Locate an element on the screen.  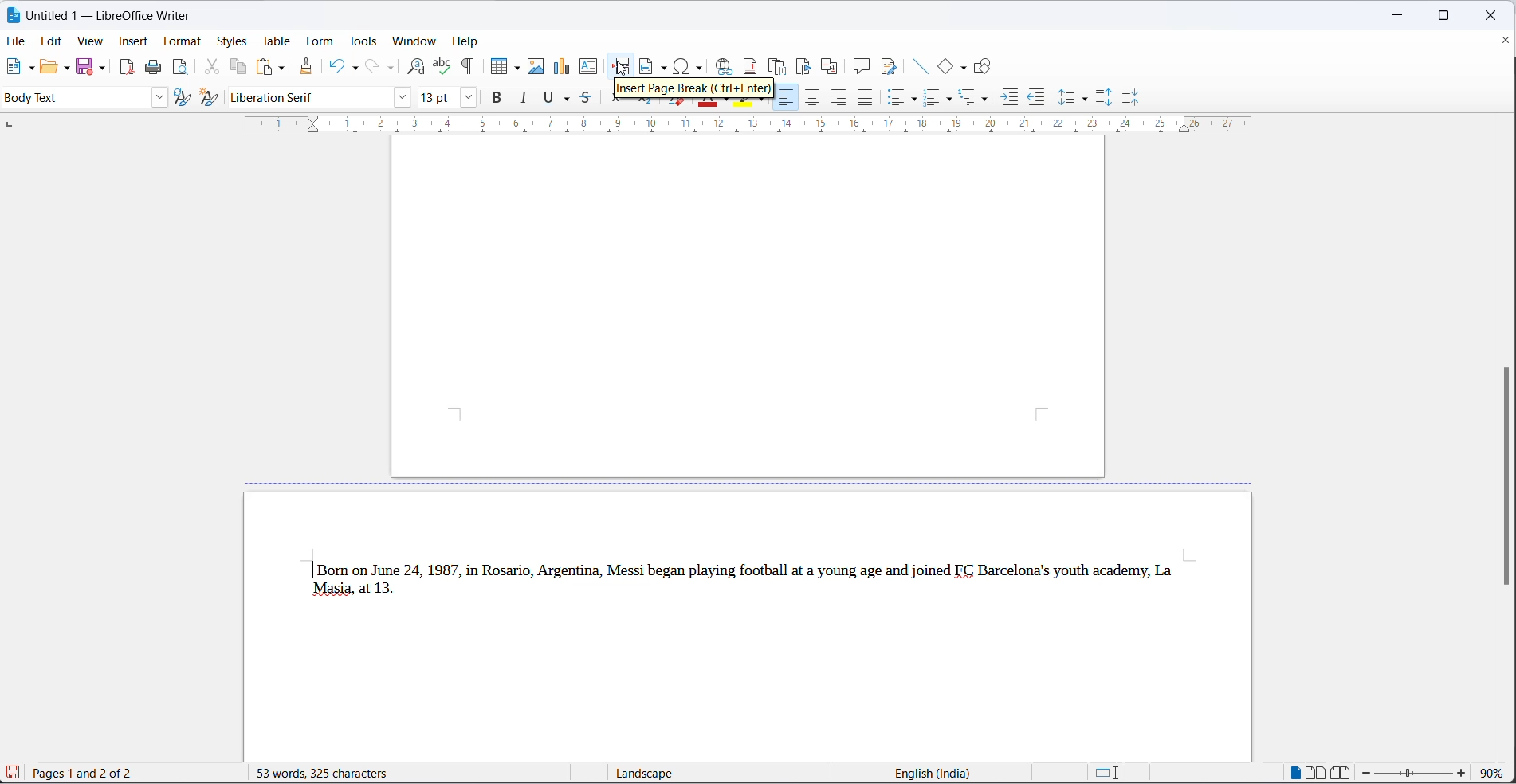
page break is located at coordinates (750, 484).